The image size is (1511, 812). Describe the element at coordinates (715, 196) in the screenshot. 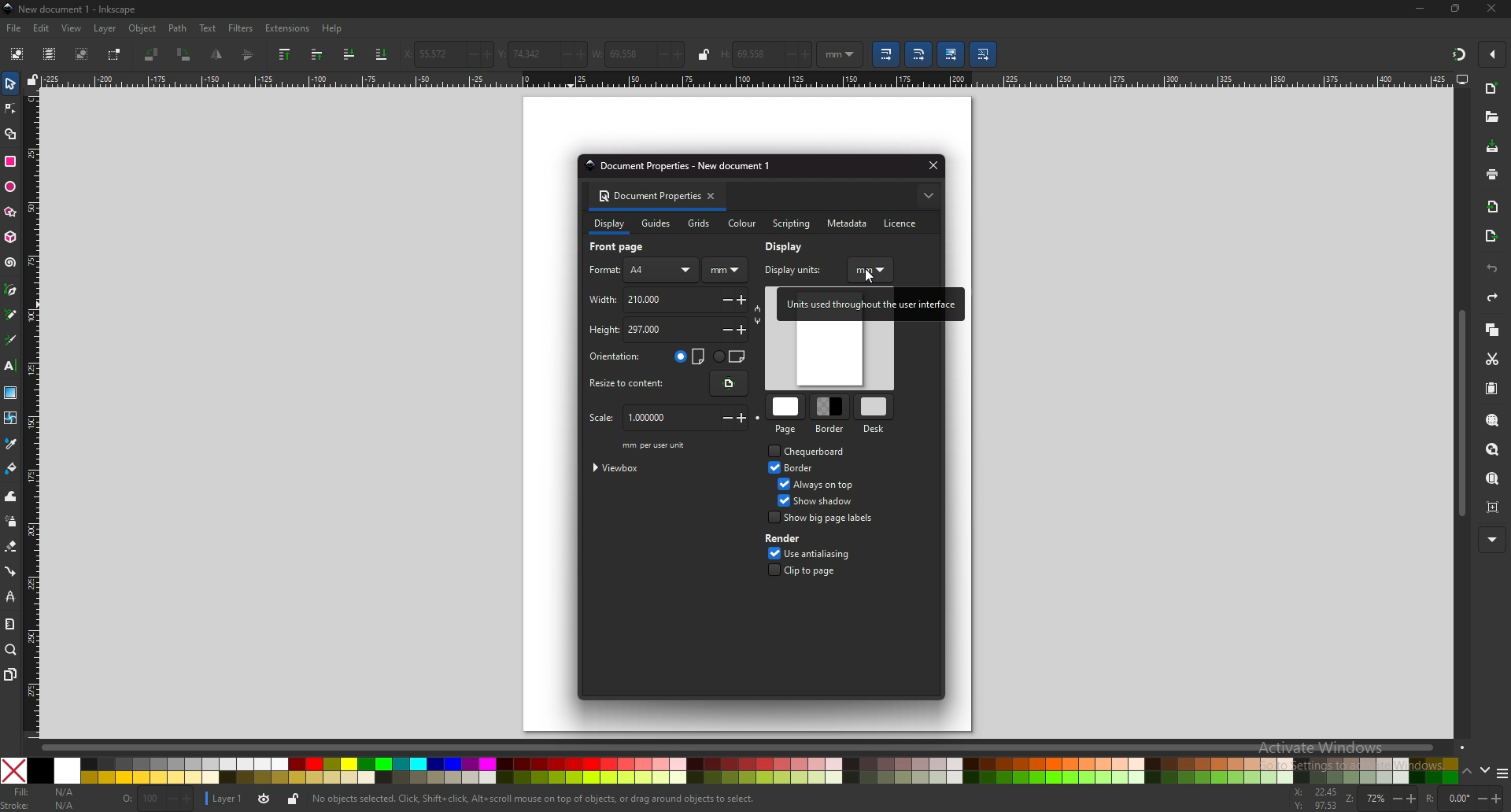

I see `close tab` at that location.